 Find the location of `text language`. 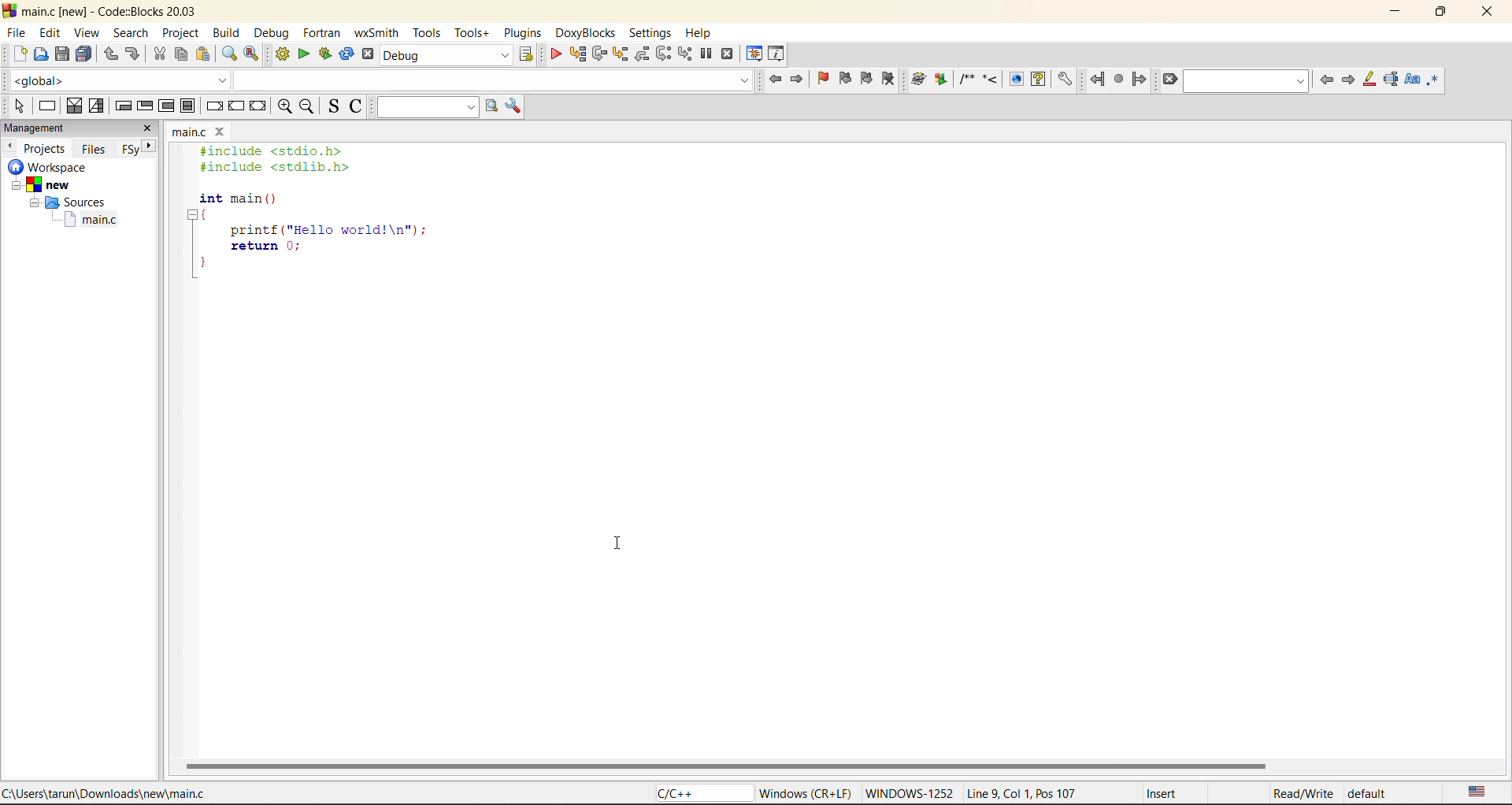

text language is located at coordinates (1477, 789).